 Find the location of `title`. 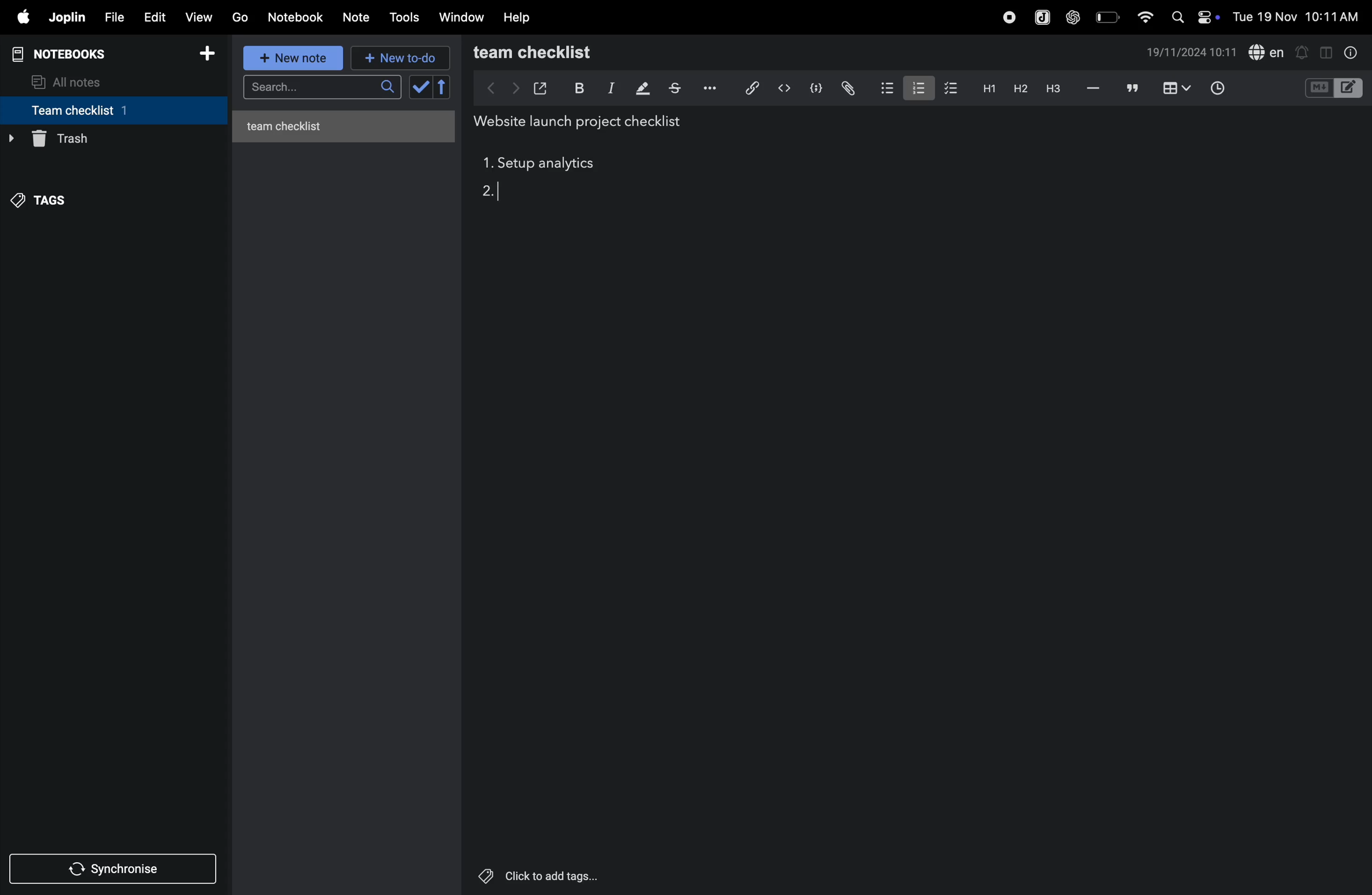

title is located at coordinates (583, 122).